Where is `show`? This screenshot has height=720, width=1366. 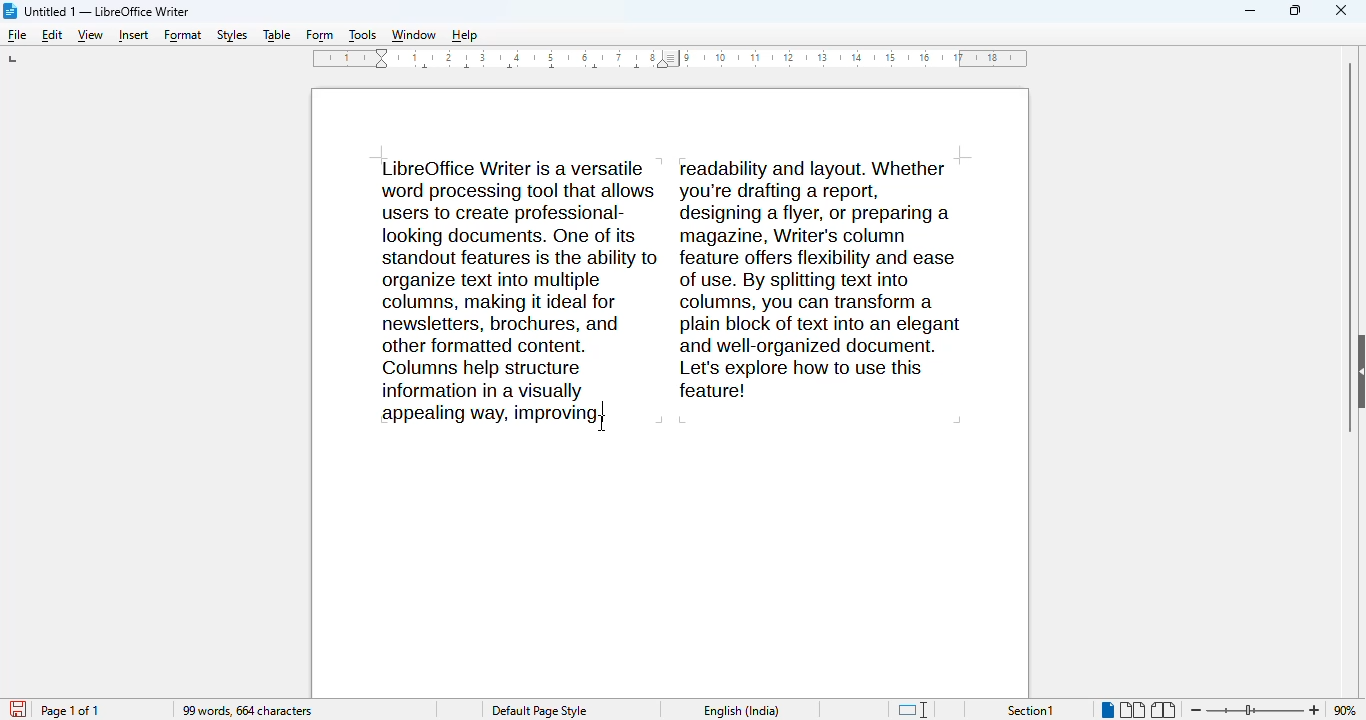 show is located at coordinates (1357, 371).